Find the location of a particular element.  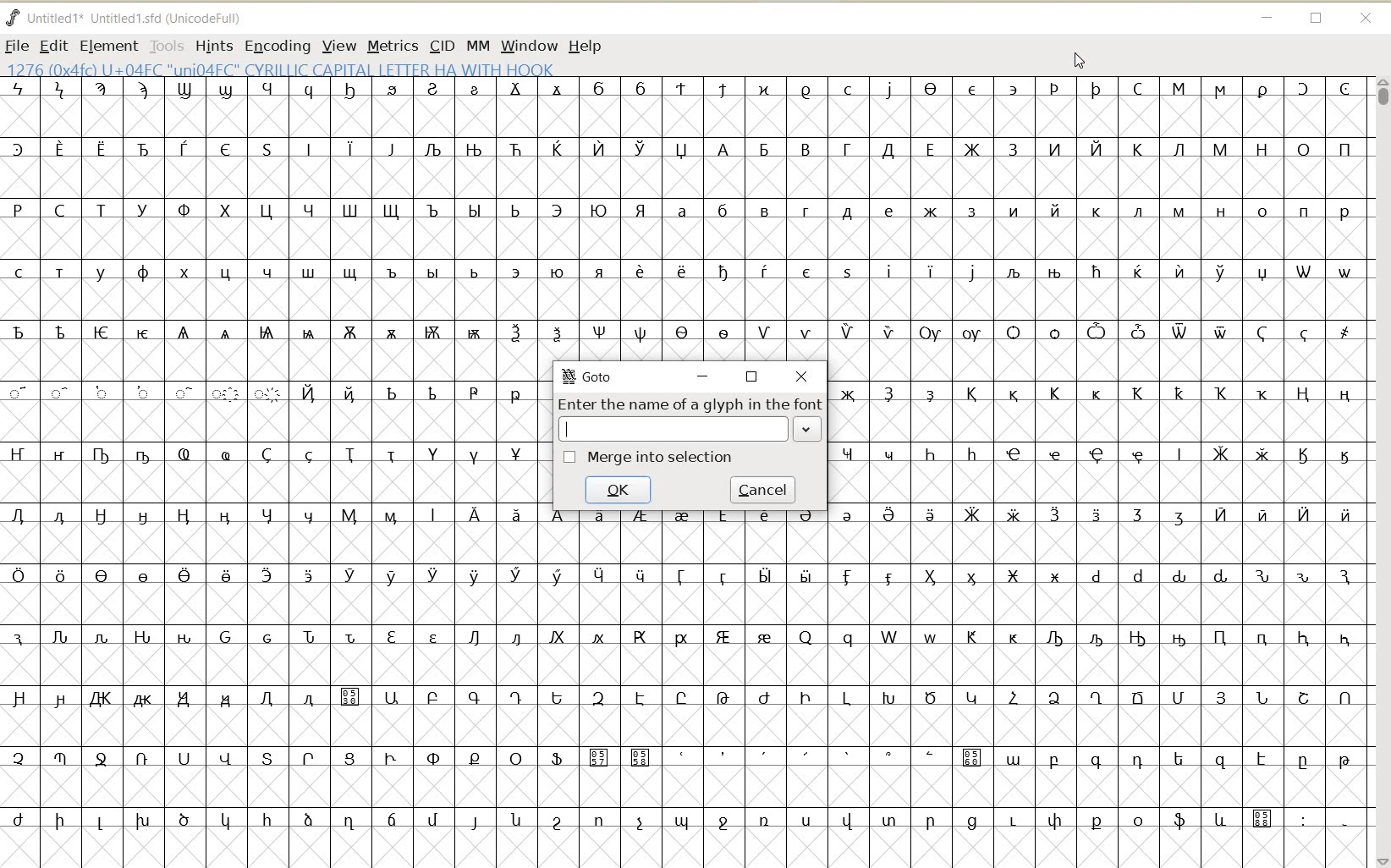

close is located at coordinates (805, 377).